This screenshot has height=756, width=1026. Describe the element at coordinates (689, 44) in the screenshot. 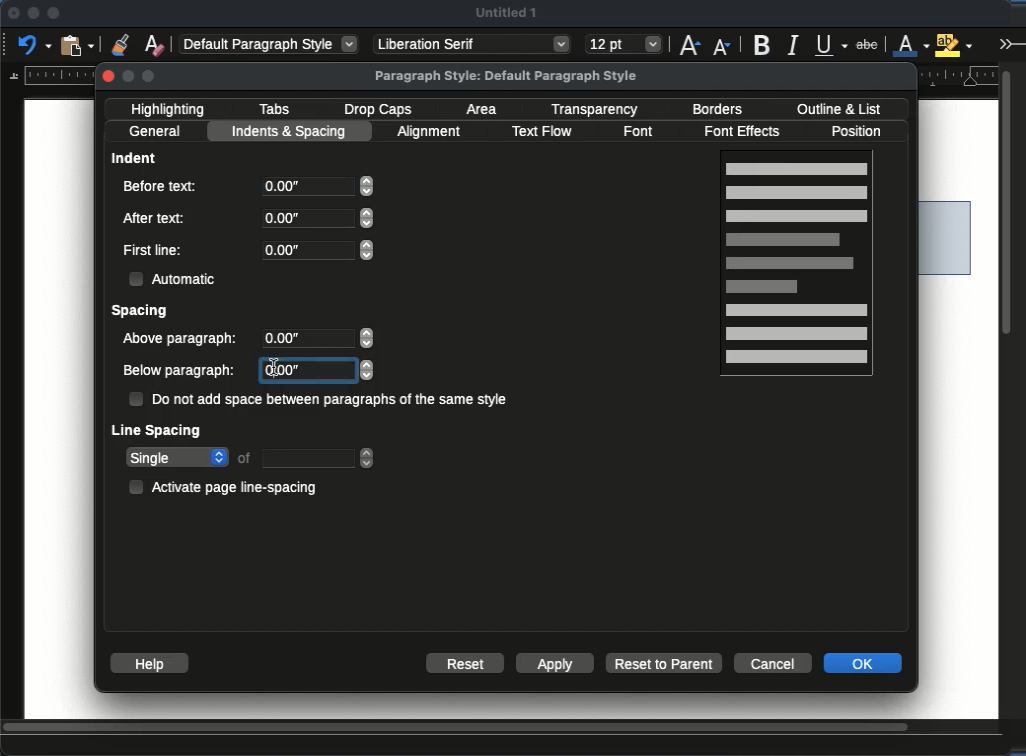

I see `increase size` at that location.